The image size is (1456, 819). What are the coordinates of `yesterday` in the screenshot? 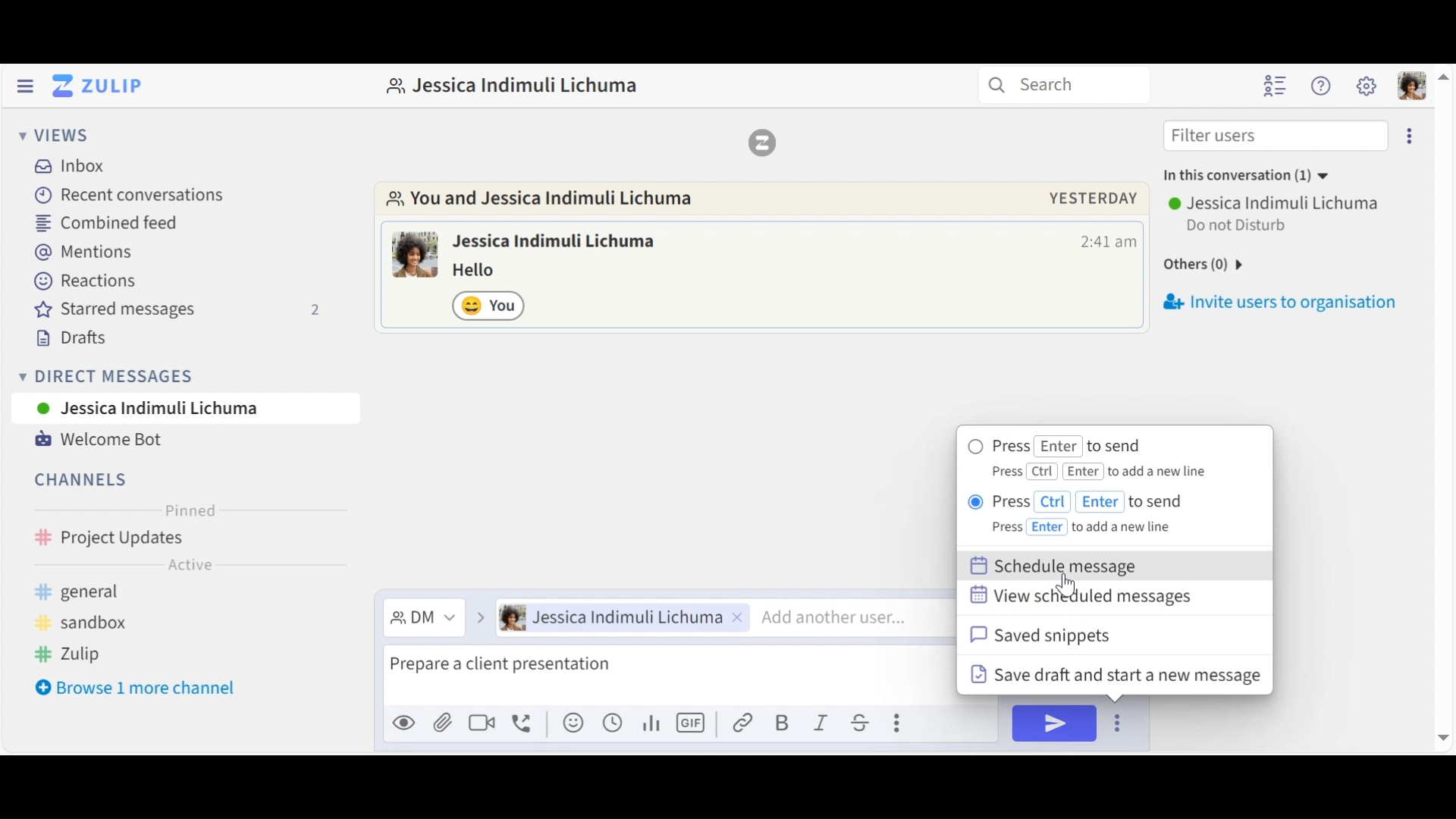 It's located at (1093, 198).